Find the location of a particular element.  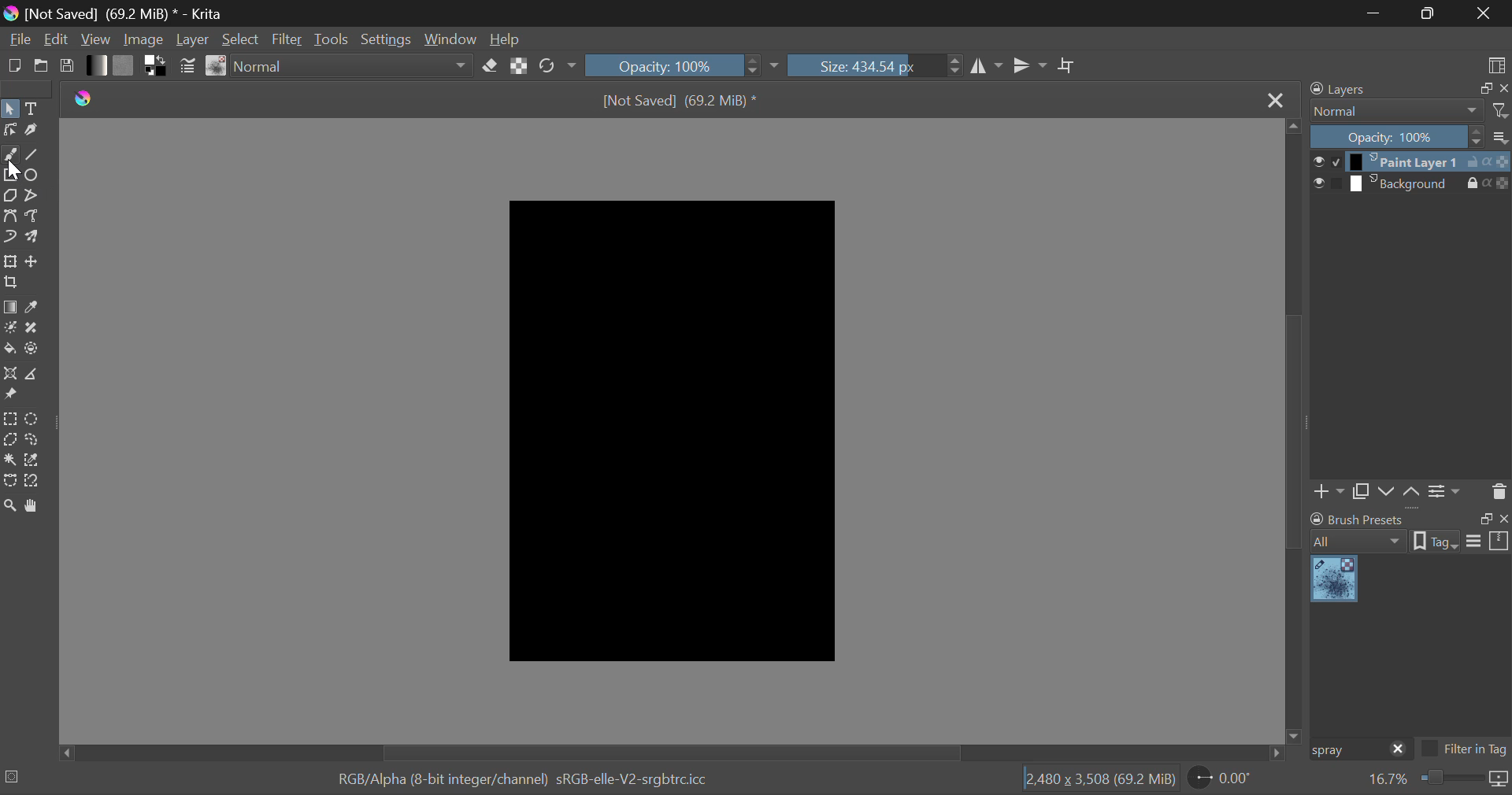

Opacity is located at coordinates (684, 65).